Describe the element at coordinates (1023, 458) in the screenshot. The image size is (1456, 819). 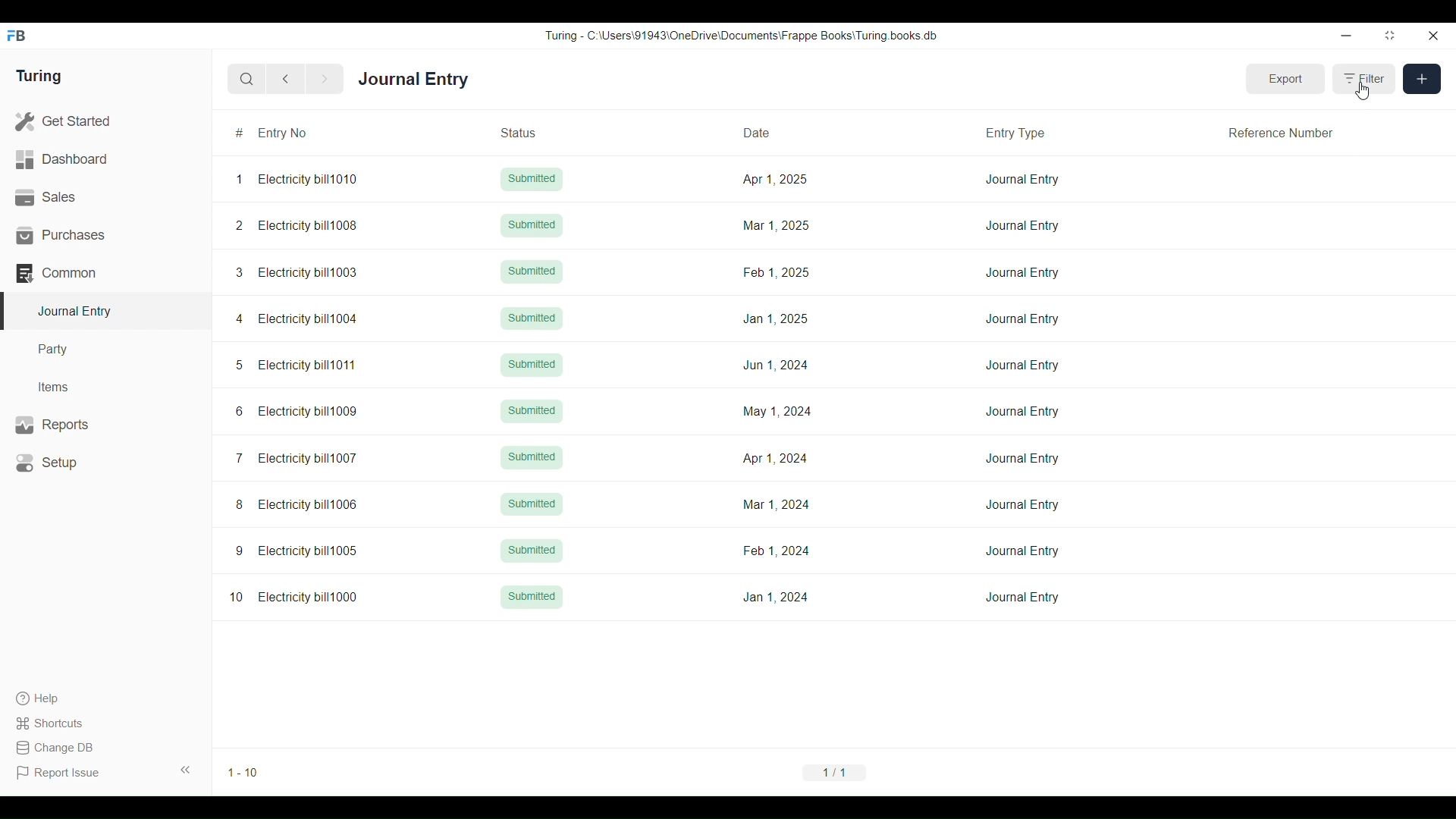
I see `Journal Entry` at that location.